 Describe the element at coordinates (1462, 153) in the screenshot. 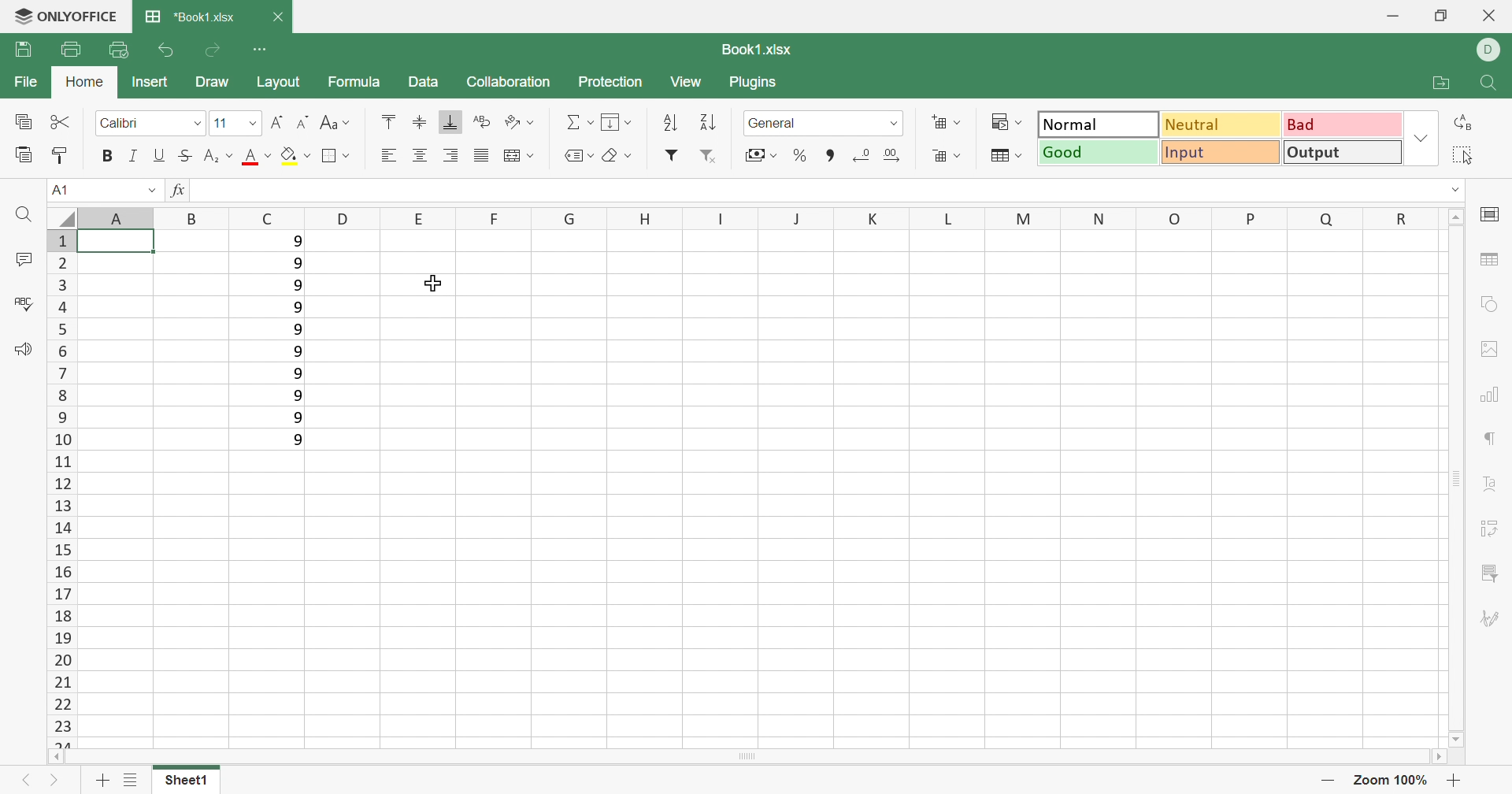

I see `Select all` at that location.